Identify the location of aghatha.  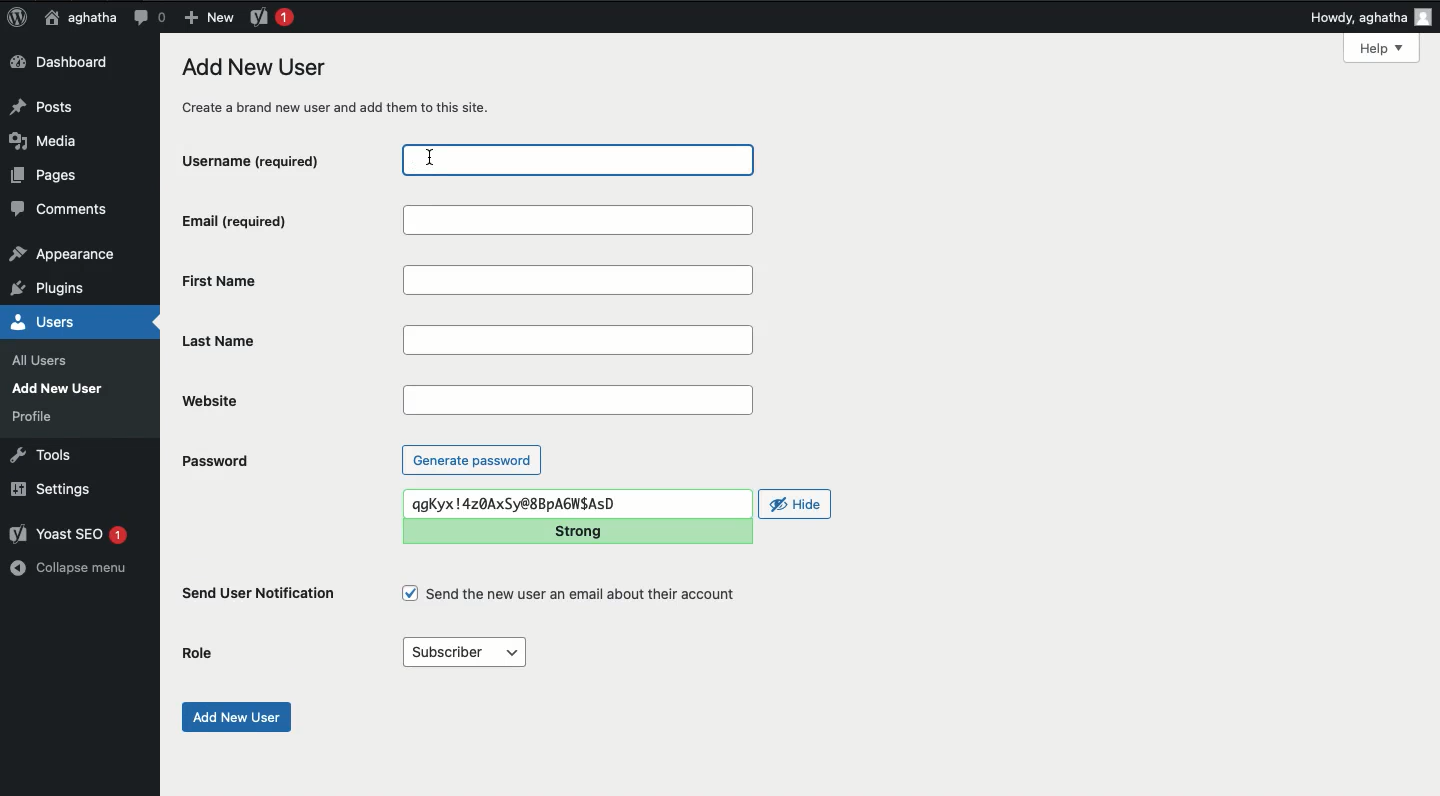
(77, 17).